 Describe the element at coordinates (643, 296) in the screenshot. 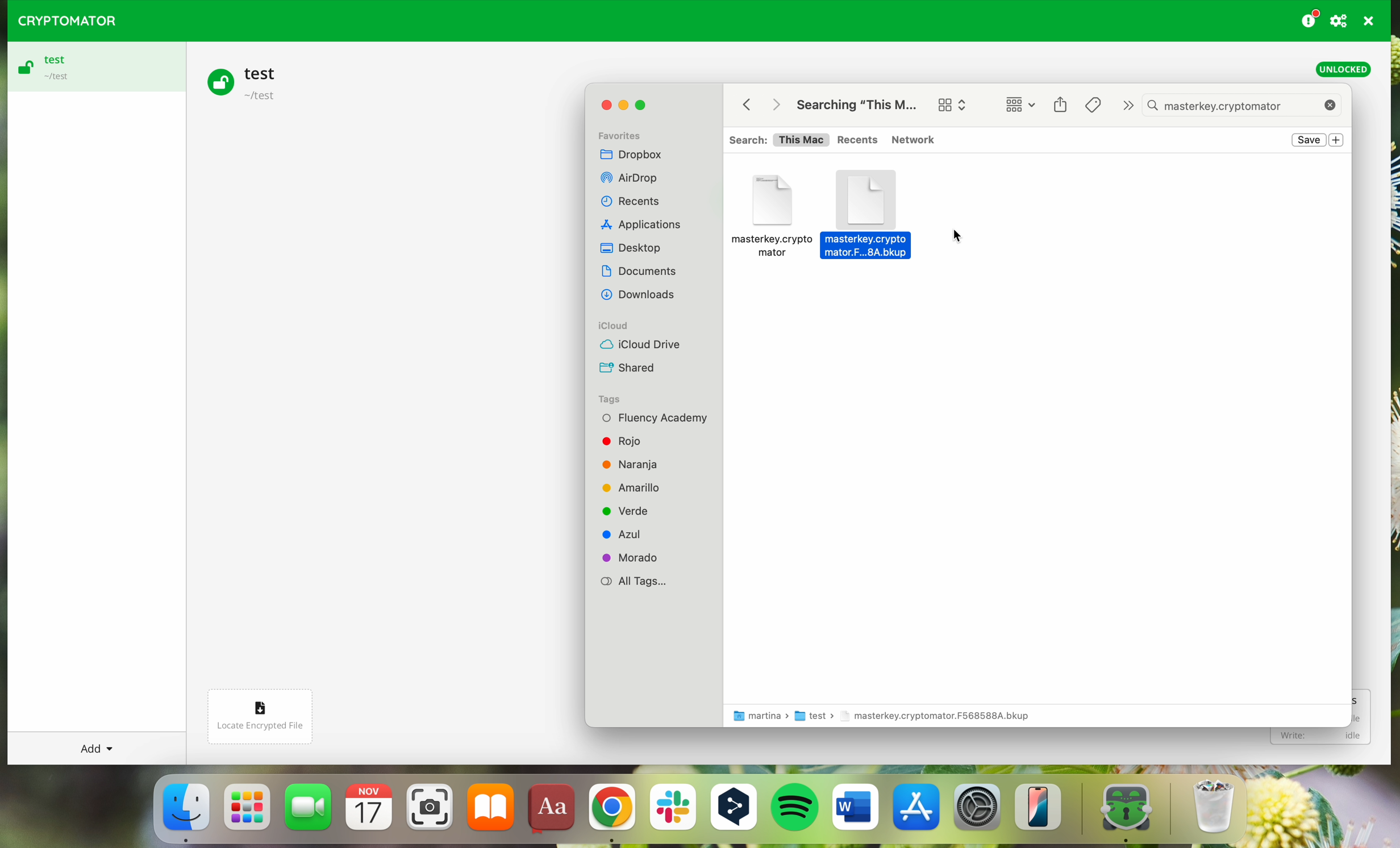

I see `` at that location.